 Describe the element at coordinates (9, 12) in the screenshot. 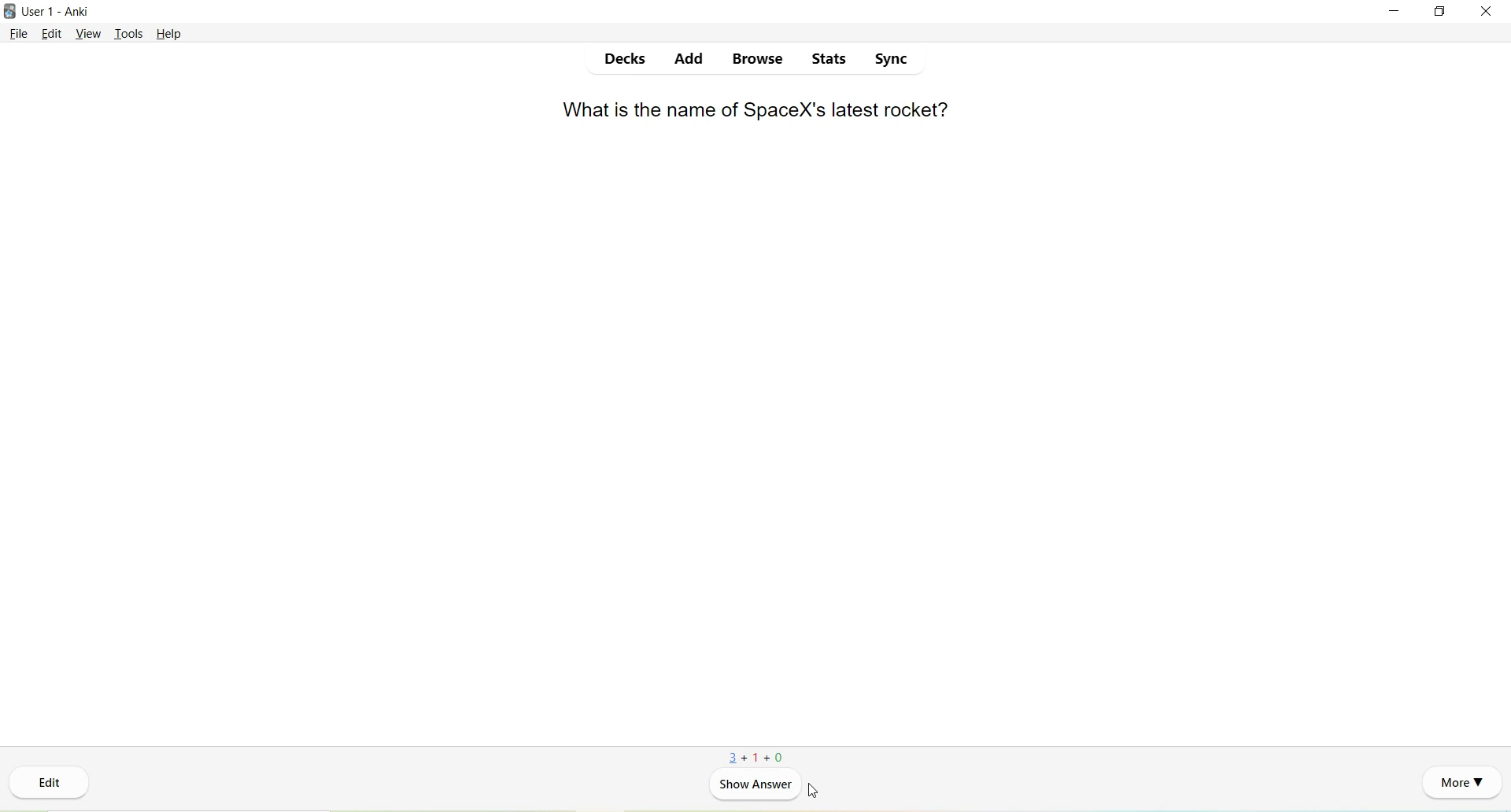

I see `Logo` at that location.